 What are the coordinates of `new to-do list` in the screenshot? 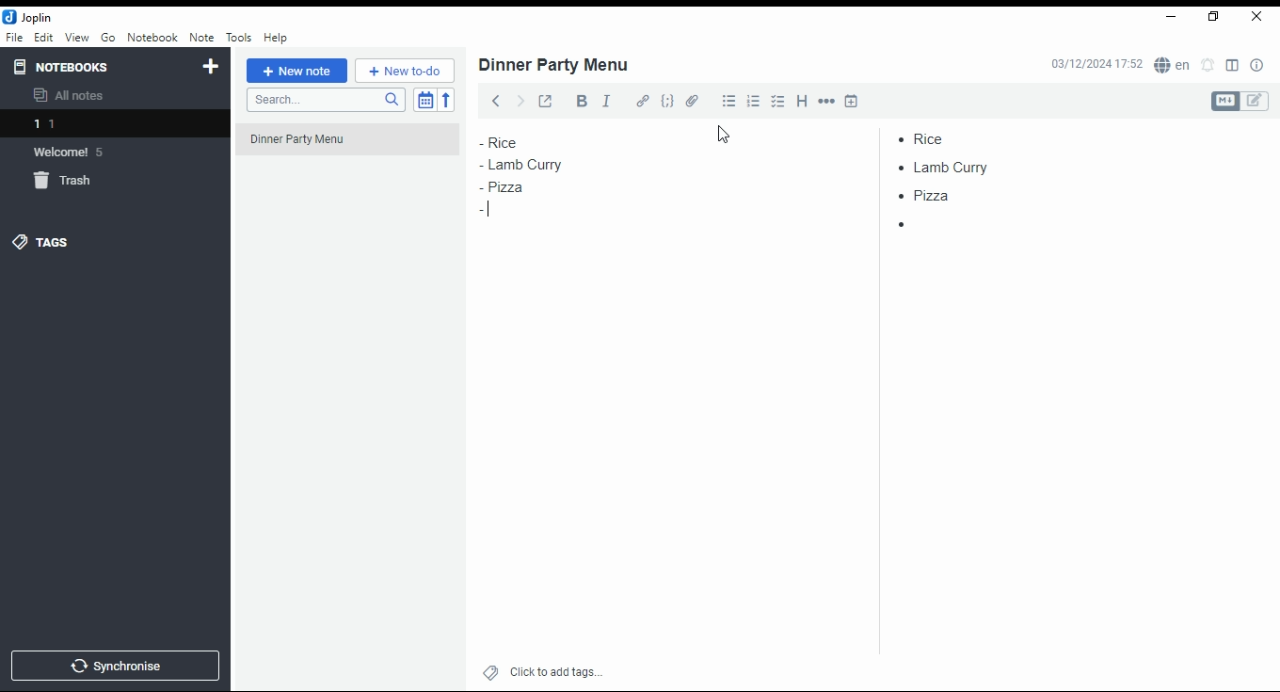 It's located at (405, 71).